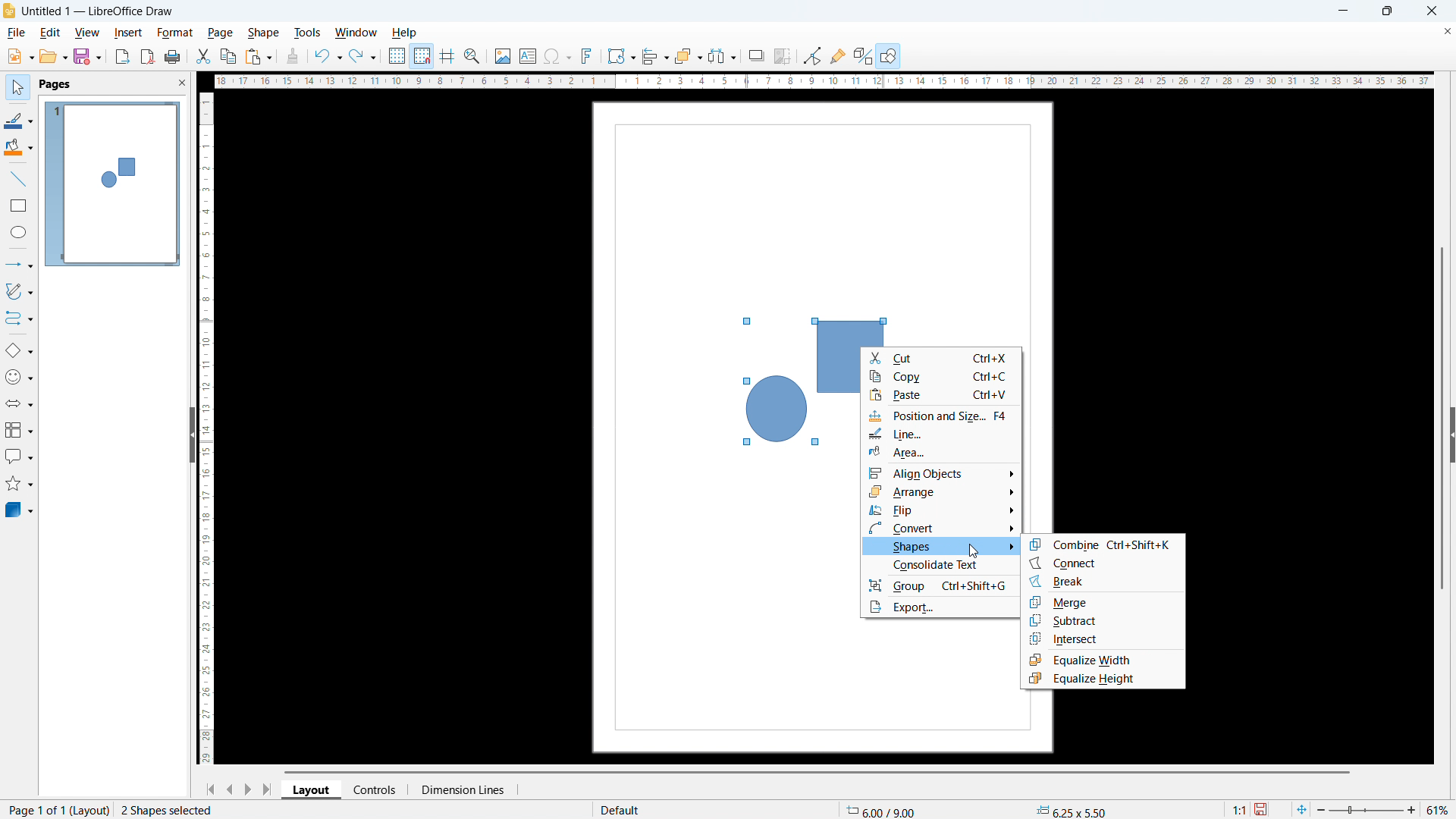  I want to click on paste, so click(941, 394).